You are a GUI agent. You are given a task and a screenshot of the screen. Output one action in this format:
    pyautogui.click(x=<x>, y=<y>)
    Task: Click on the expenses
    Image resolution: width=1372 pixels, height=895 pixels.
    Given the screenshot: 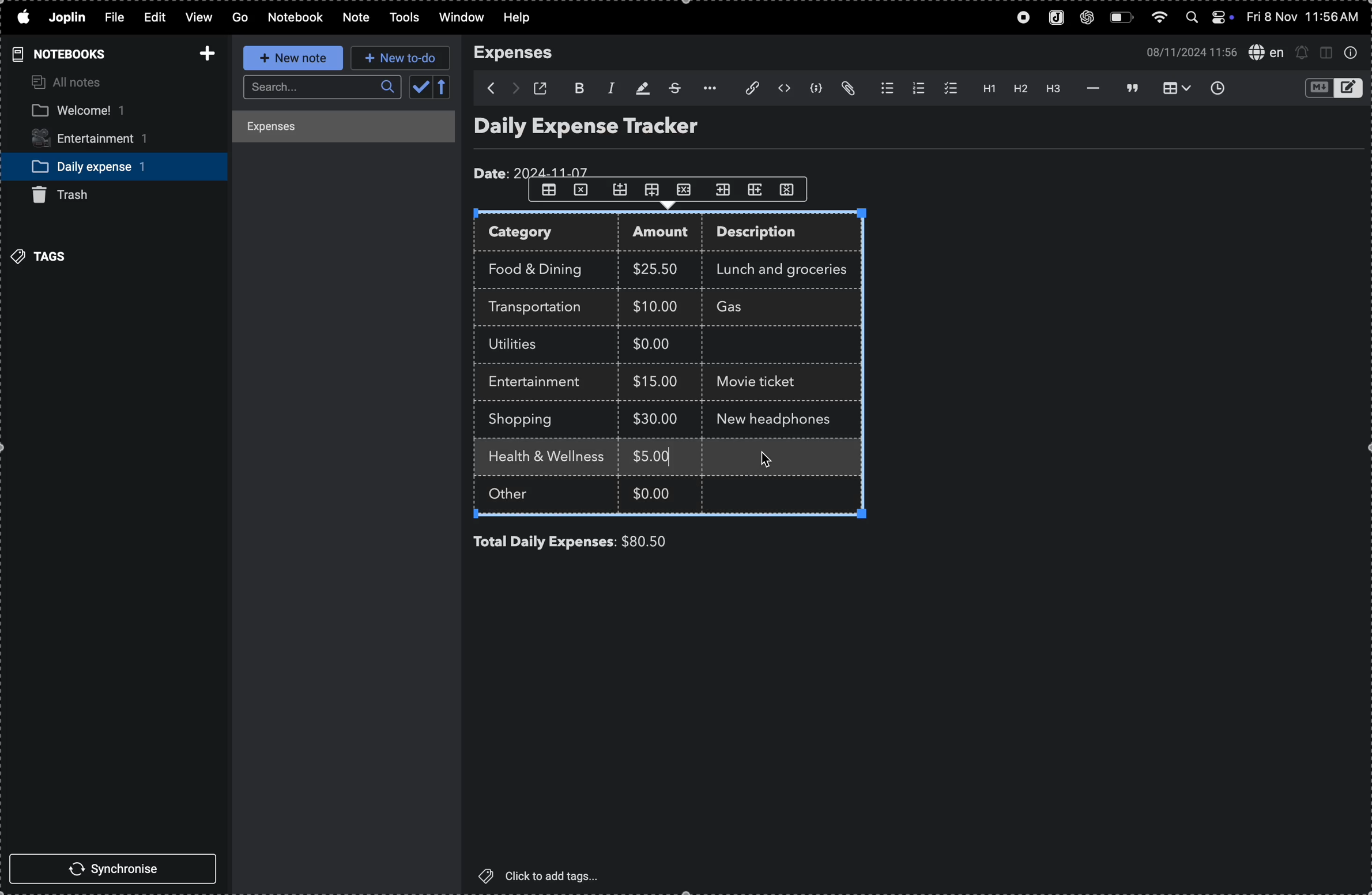 What is the action you would take?
    pyautogui.click(x=521, y=53)
    